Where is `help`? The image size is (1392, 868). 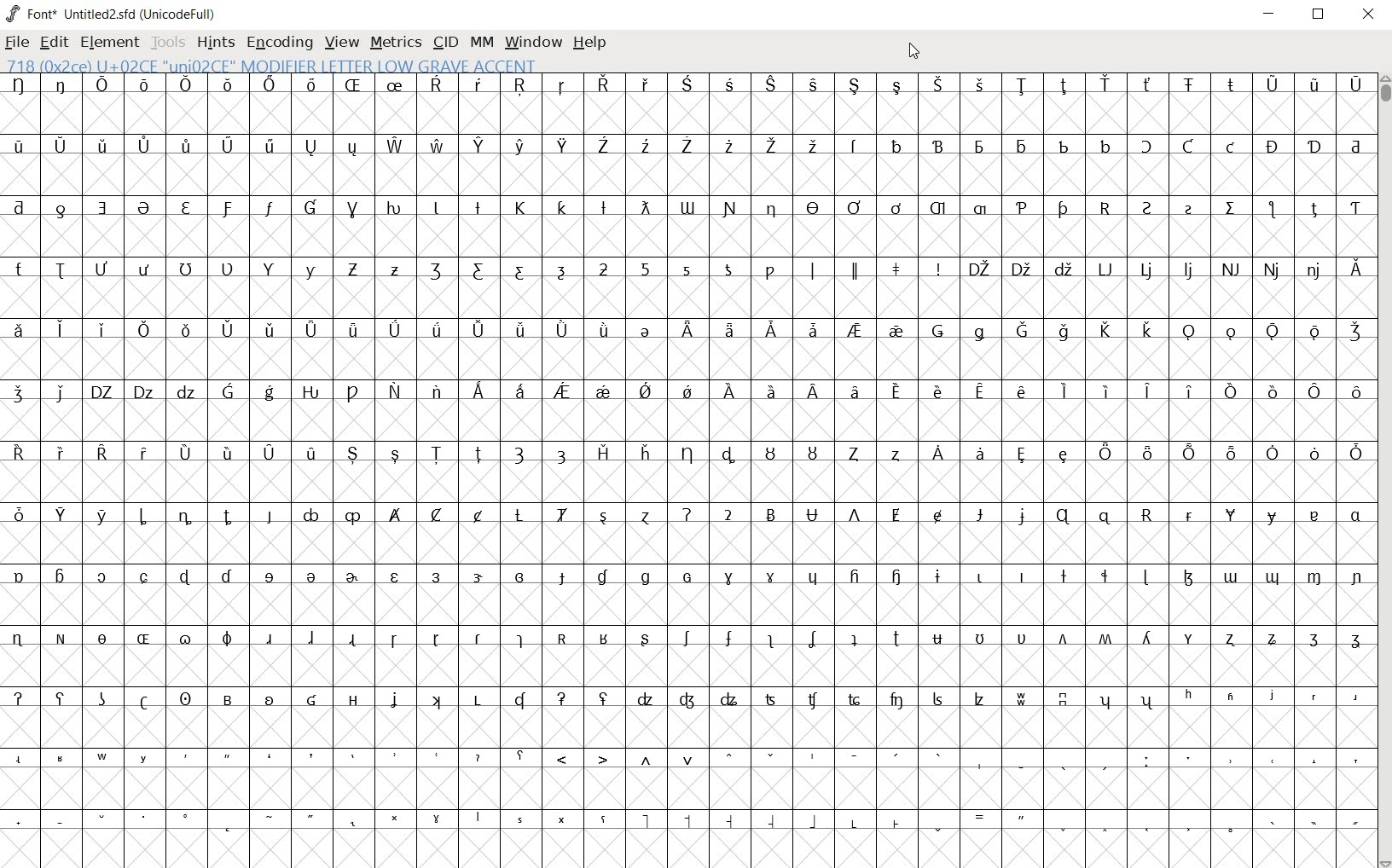
help is located at coordinates (589, 43).